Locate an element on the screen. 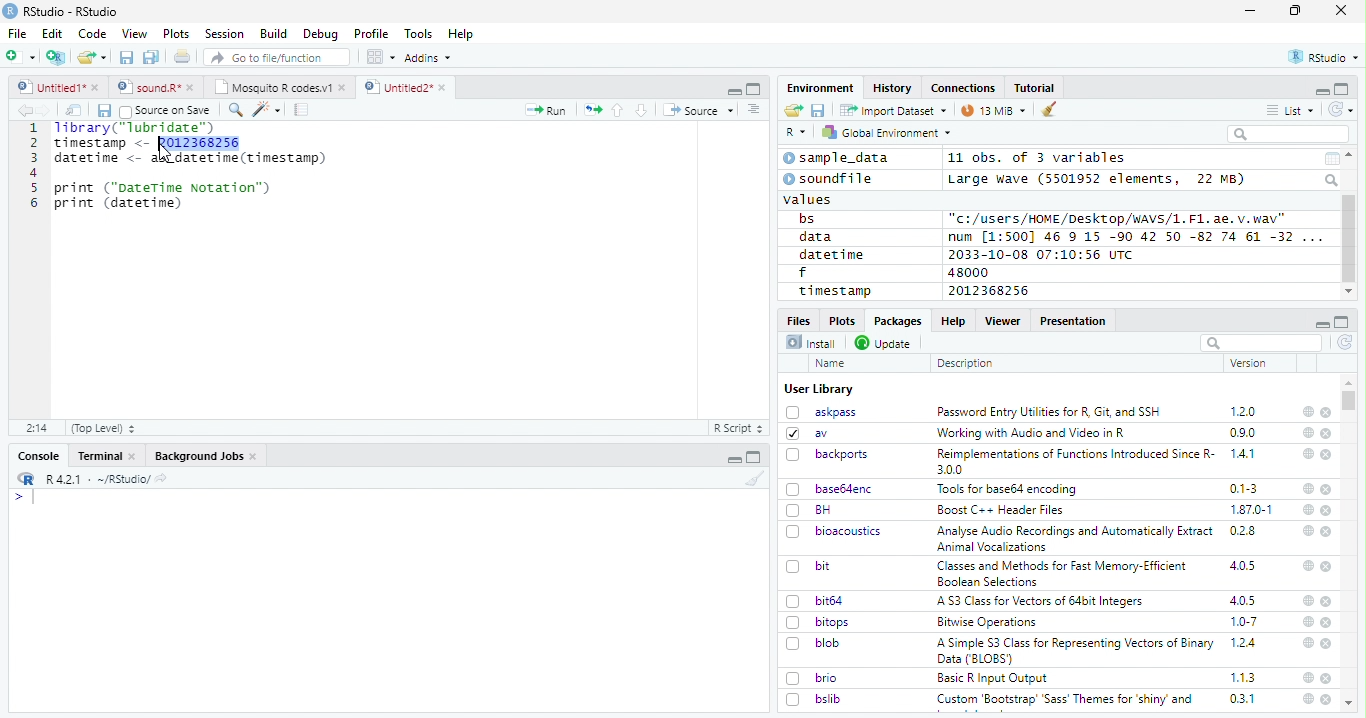 The width and height of the screenshot is (1366, 718). 48000 is located at coordinates (966, 272).